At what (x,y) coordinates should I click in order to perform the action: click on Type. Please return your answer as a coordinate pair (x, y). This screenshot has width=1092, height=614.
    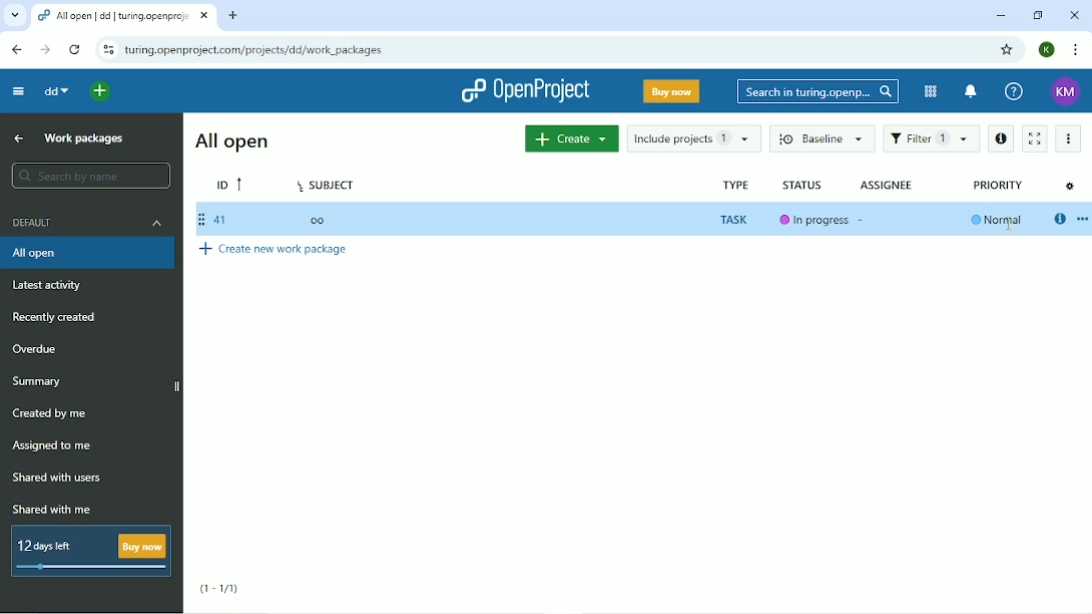
    Looking at the image, I should click on (734, 185).